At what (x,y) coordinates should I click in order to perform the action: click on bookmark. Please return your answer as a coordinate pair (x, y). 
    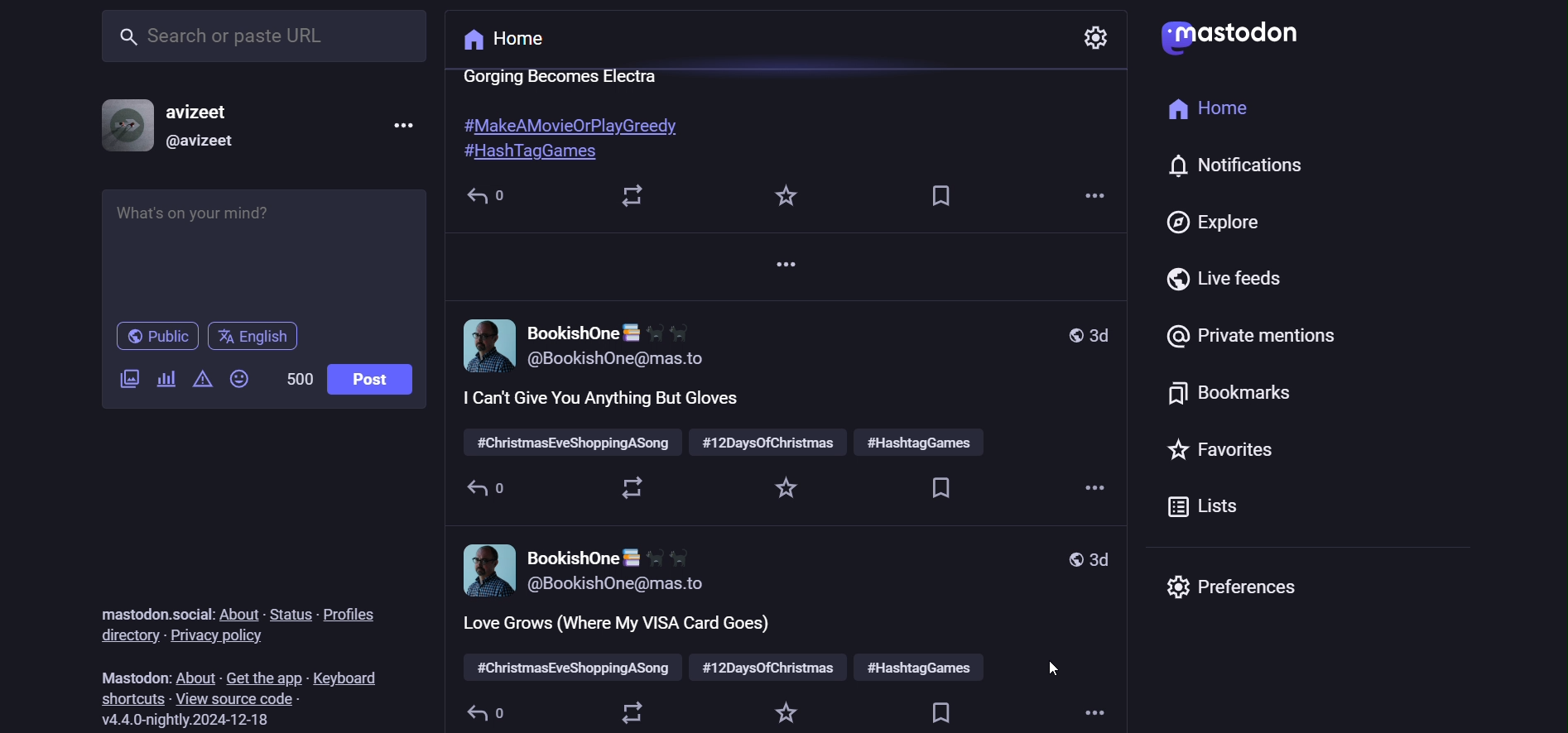
    Looking at the image, I should click on (945, 490).